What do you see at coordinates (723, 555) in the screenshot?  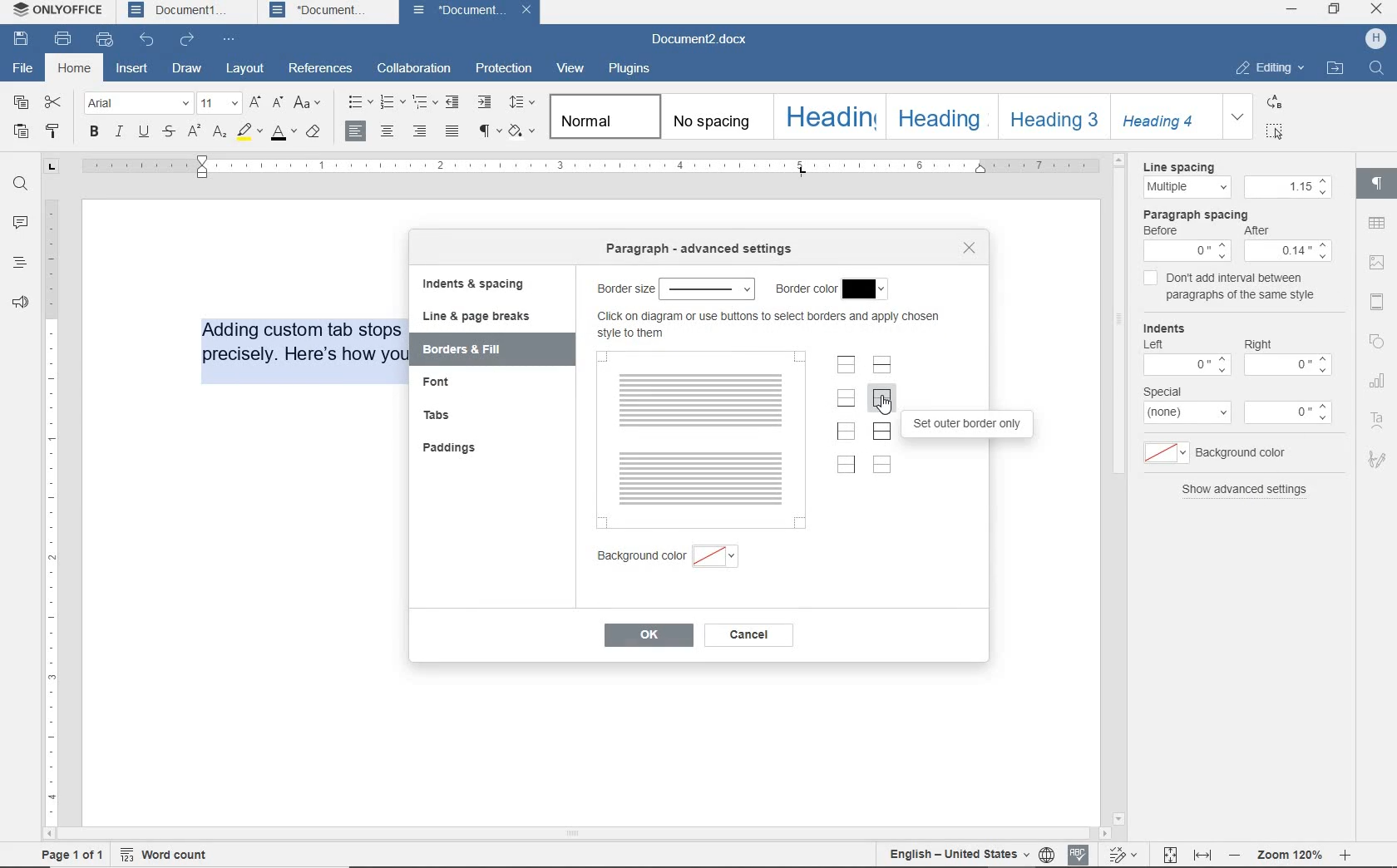 I see `background color` at bounding box center [723, 555].